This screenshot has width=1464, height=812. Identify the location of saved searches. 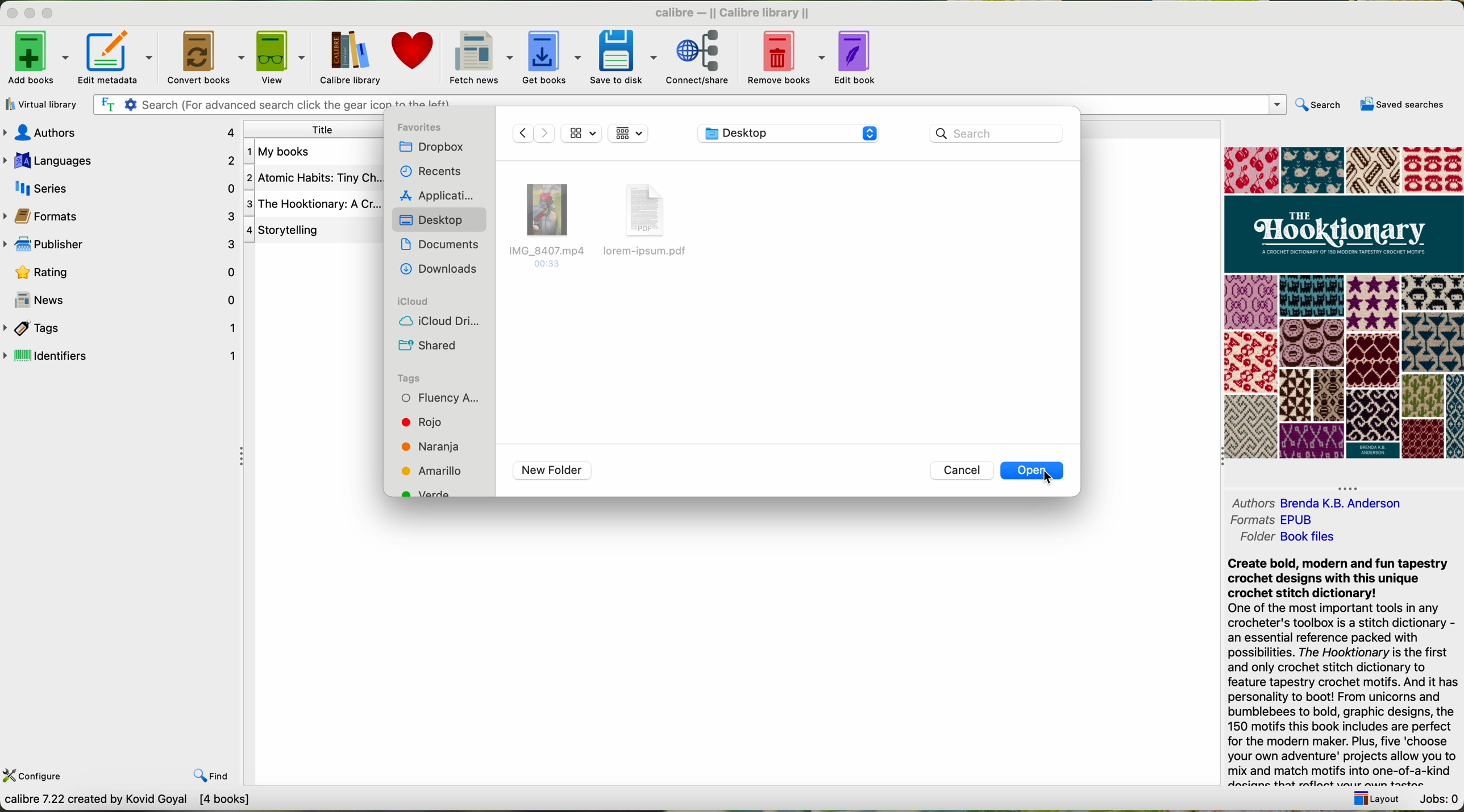
(1401, 106).